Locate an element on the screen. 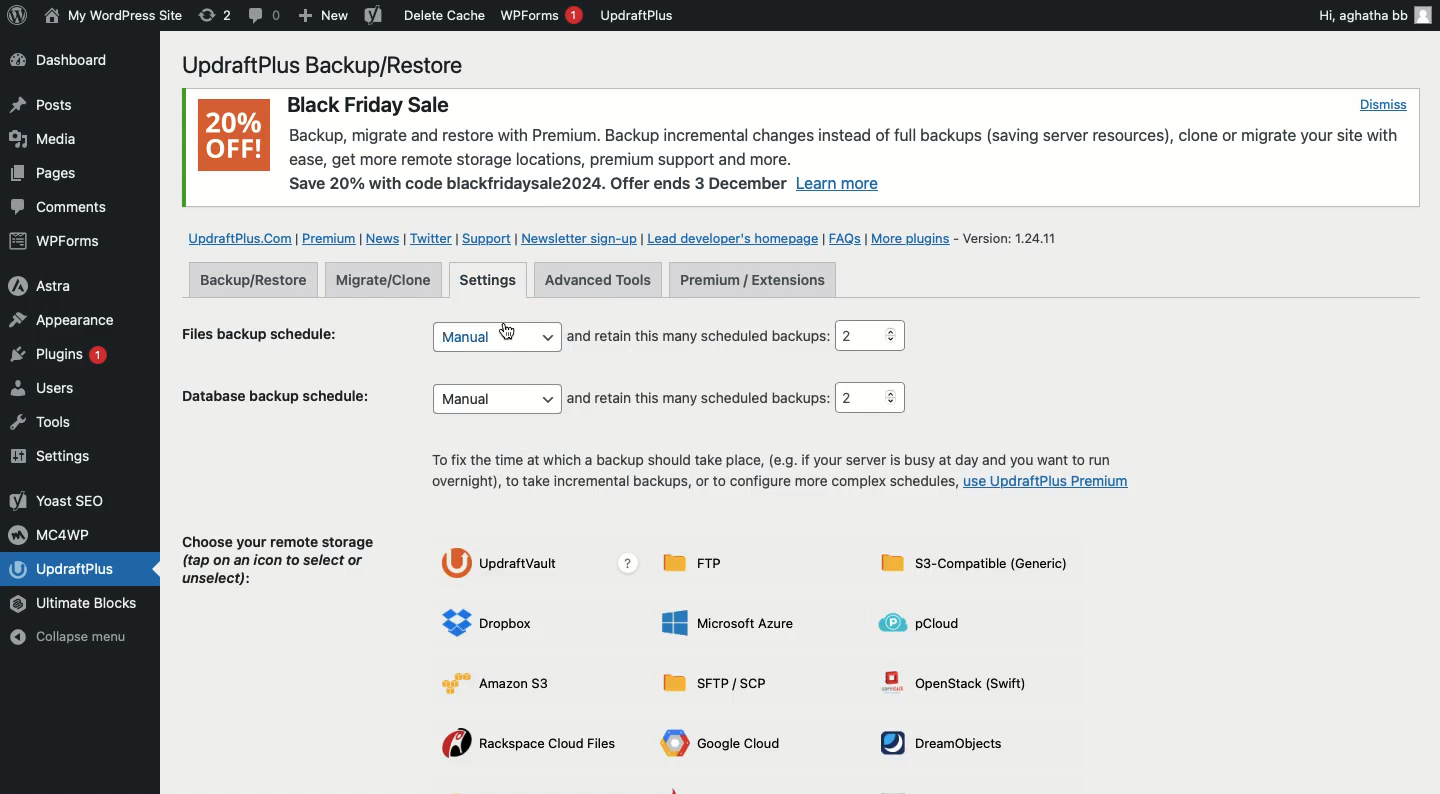 The width and height of the screenshot is (1440, 794). Posts is located at coordinates (40, 105).